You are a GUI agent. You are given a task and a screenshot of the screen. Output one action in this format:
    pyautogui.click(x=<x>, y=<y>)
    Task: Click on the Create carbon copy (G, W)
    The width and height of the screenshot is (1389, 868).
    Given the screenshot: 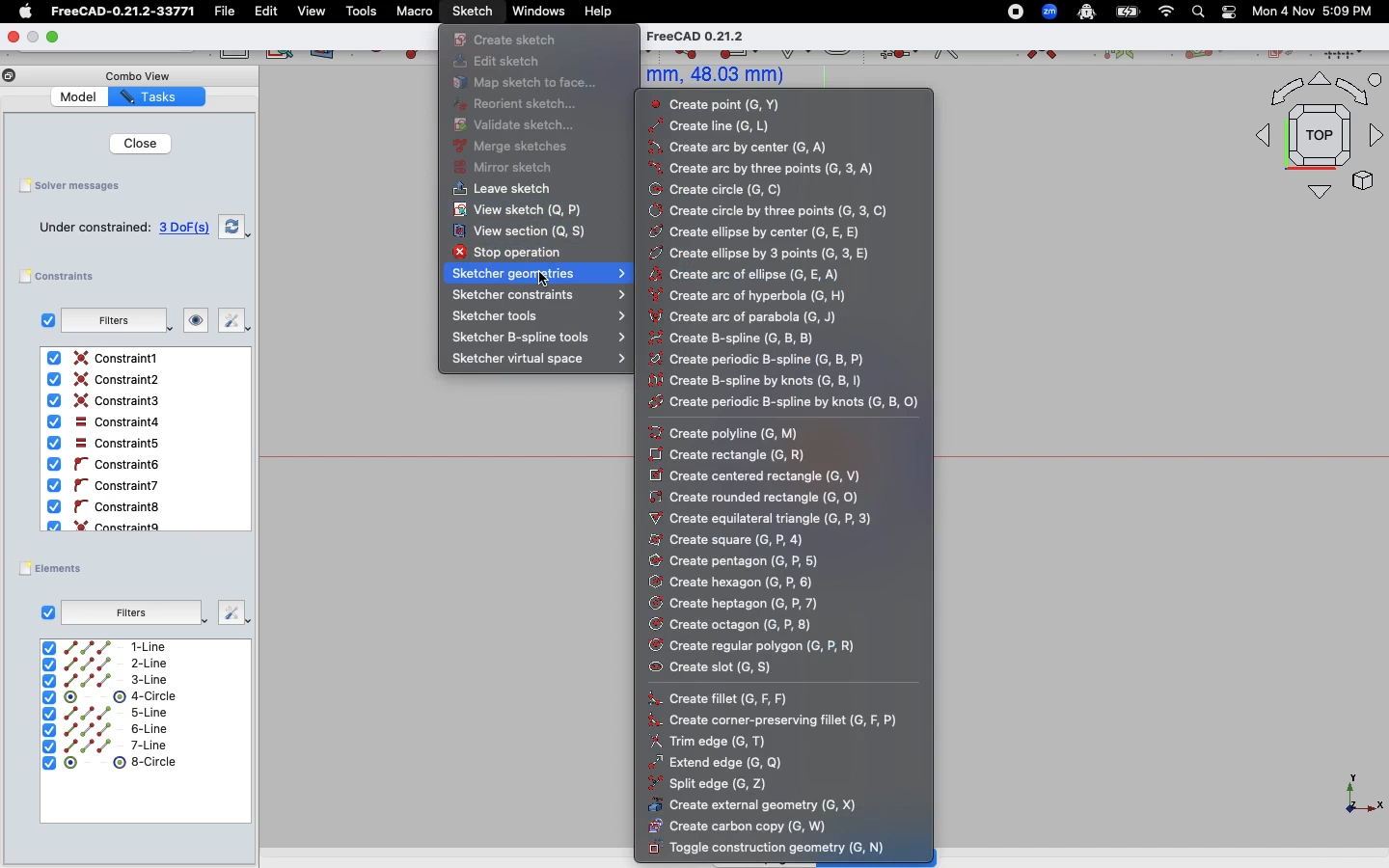 What is the action you would take?
    pyautogui.click(x=745, y=827)
    